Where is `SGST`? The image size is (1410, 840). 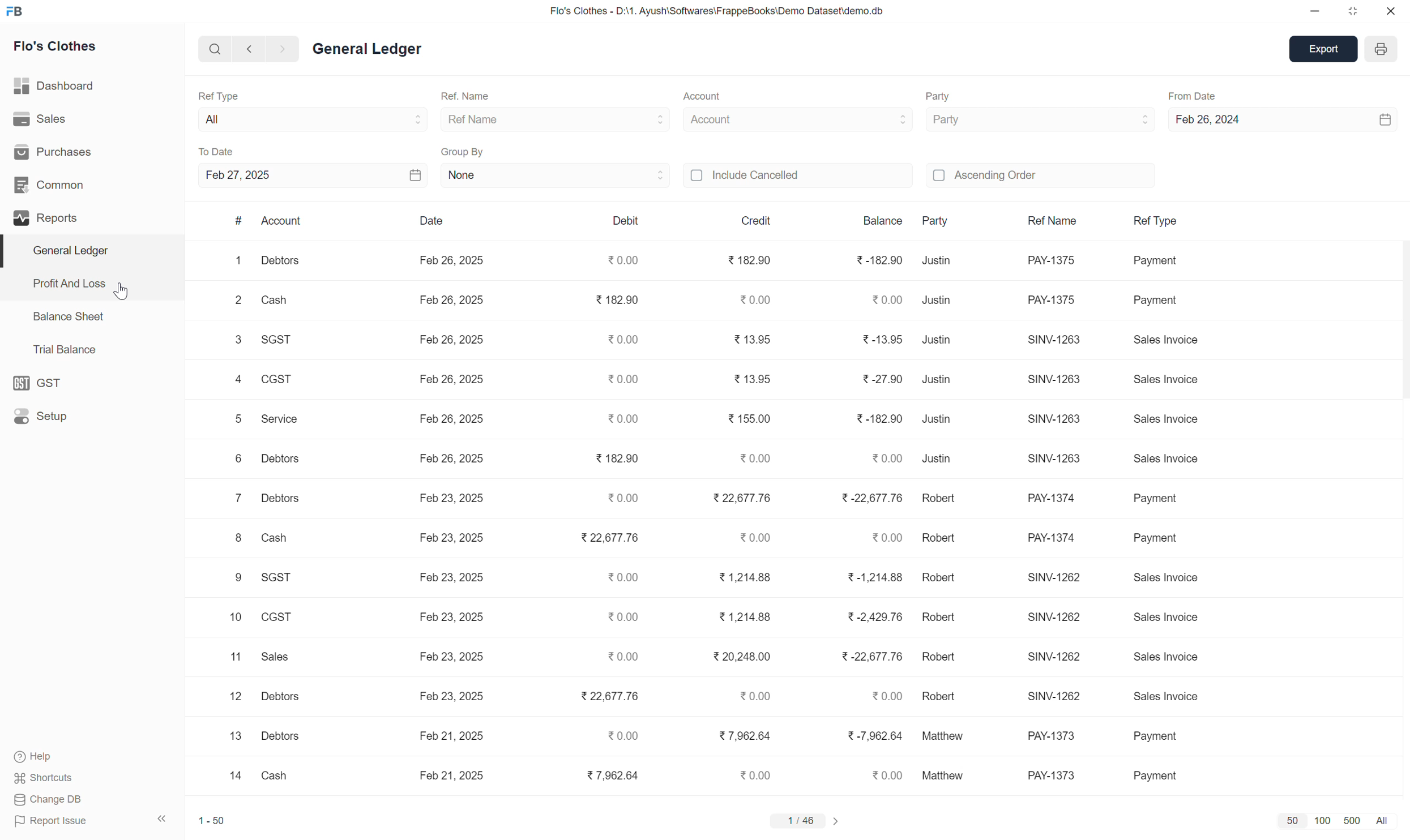
SGST is located at coordinates (277, 341).